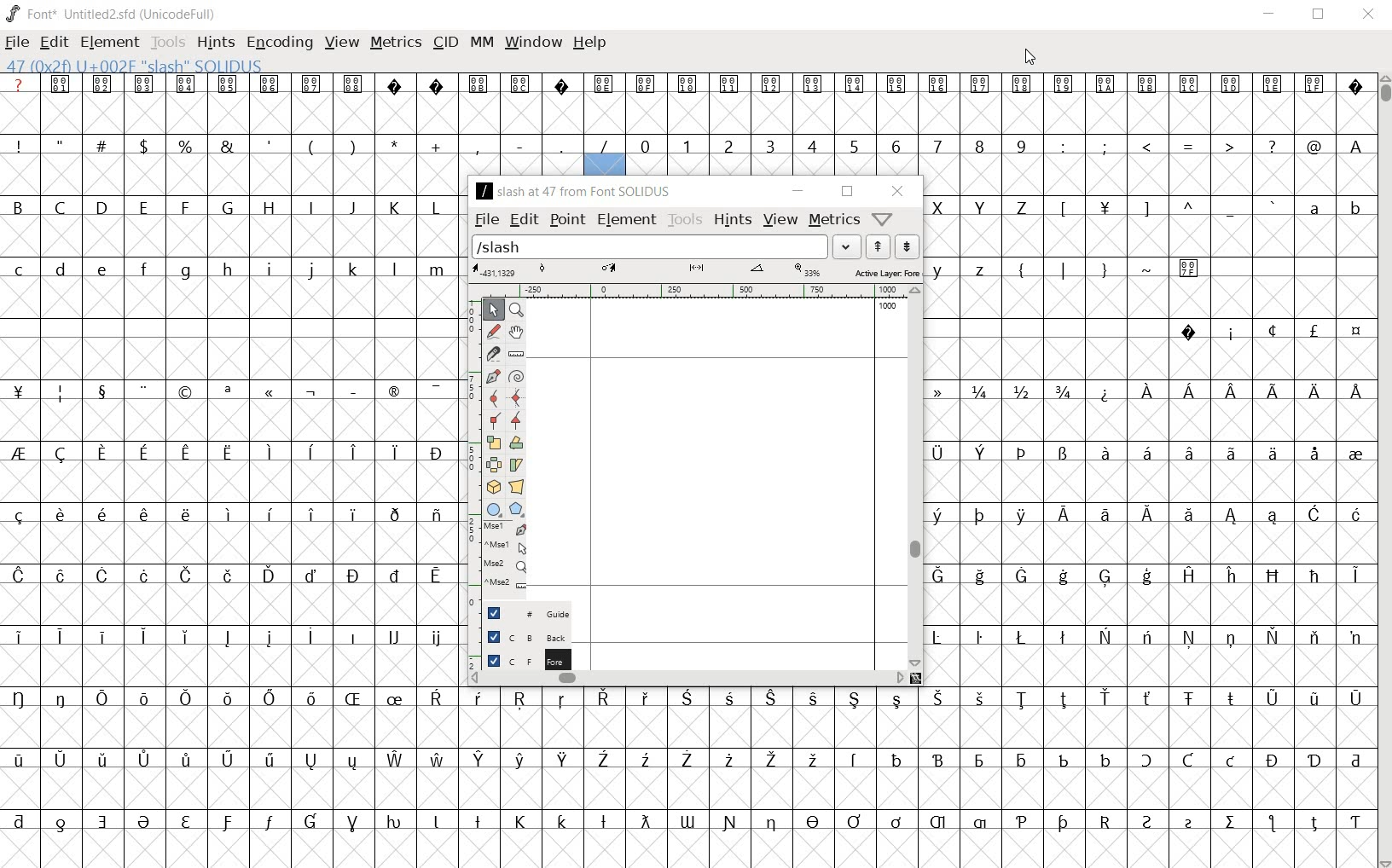 Image resolution: width=1392 pixels, height=868 pixels. I want to click on TOOLS, so click(167, 43).